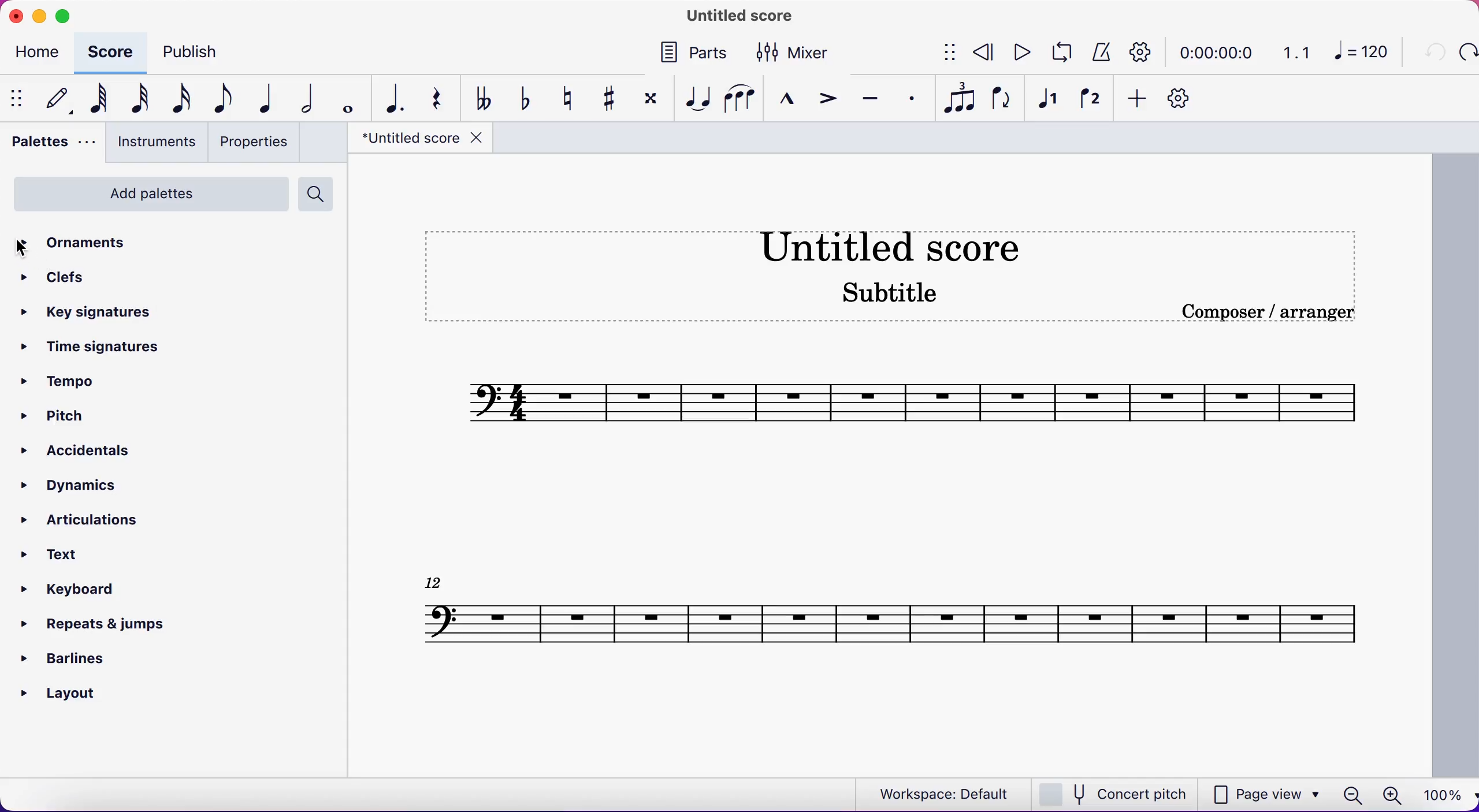 Image resolution: width=1479 pixels, height=812 pixels. I want to click on articulations, so click(87, 518).